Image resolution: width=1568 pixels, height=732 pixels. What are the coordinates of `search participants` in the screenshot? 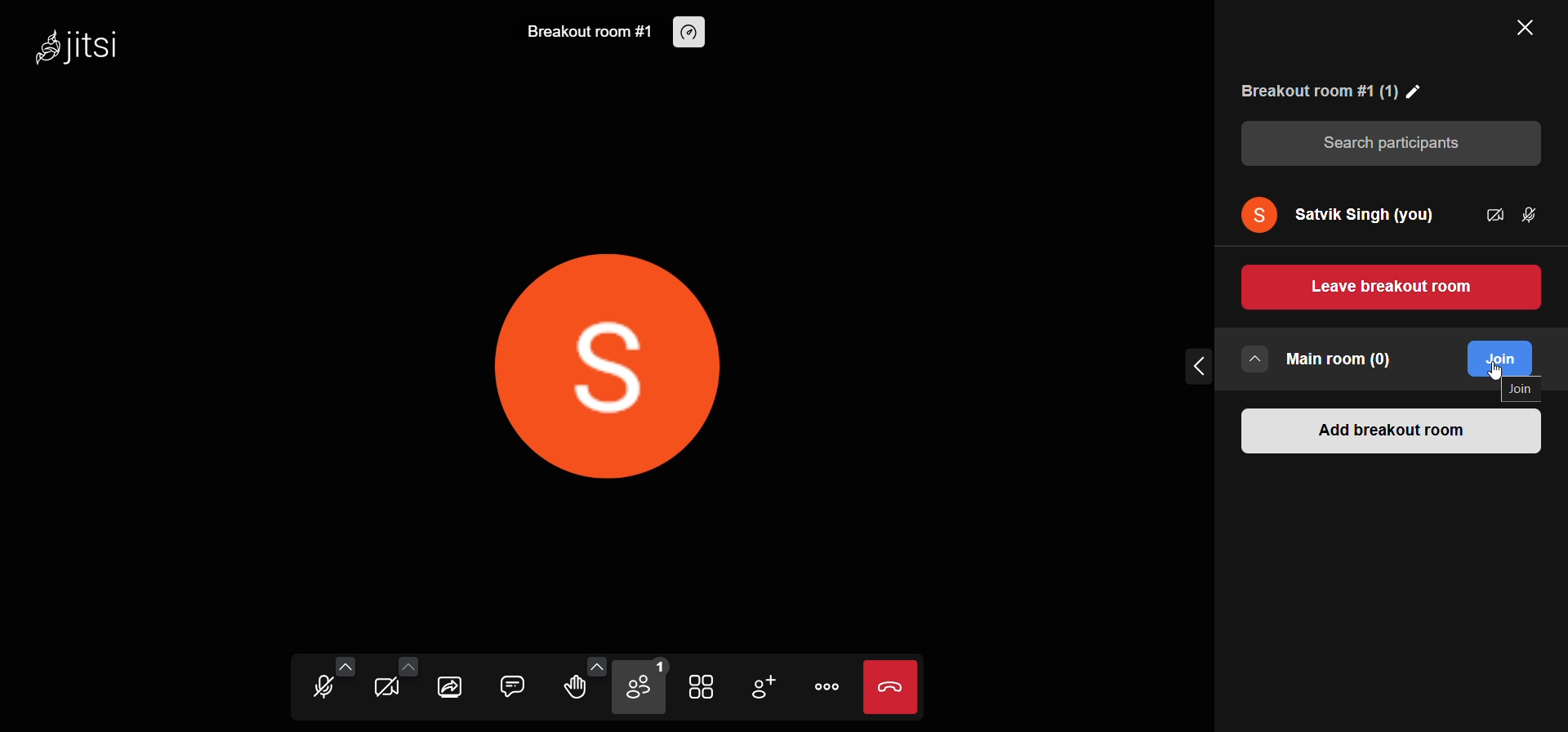 It's located at (1395, 143).